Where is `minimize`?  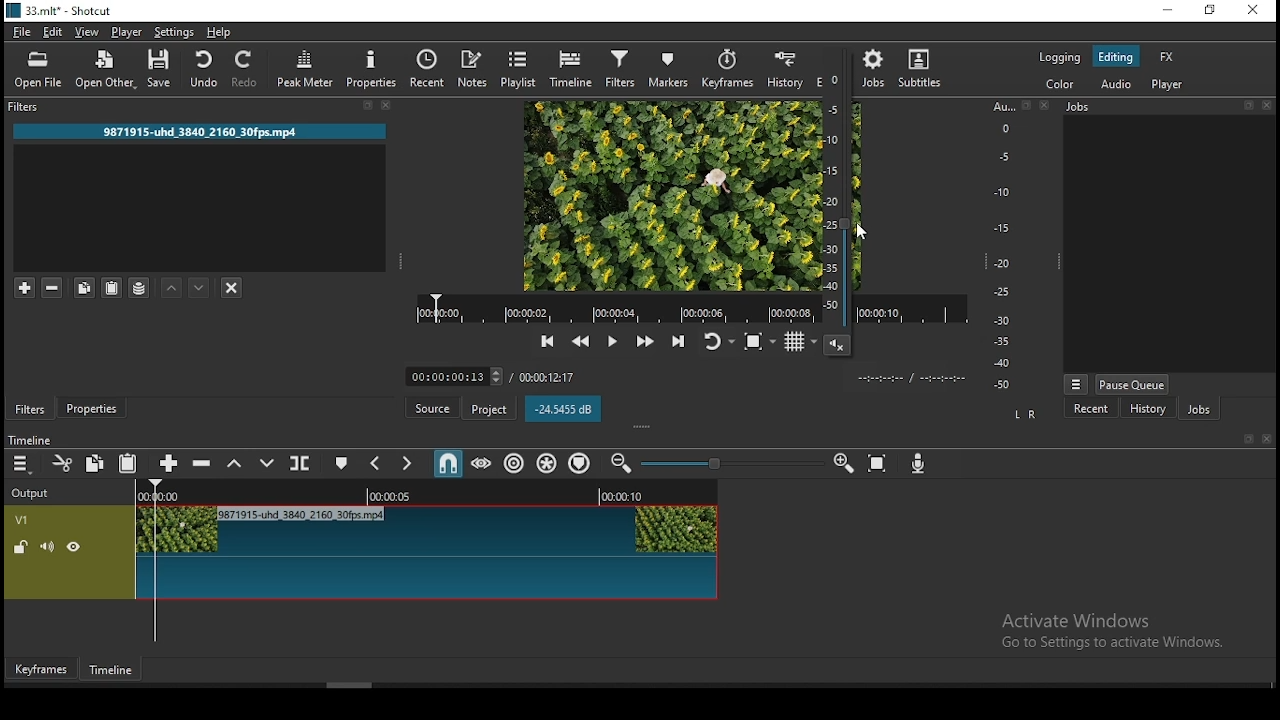 minimize is located at coordinates (1168, 10).